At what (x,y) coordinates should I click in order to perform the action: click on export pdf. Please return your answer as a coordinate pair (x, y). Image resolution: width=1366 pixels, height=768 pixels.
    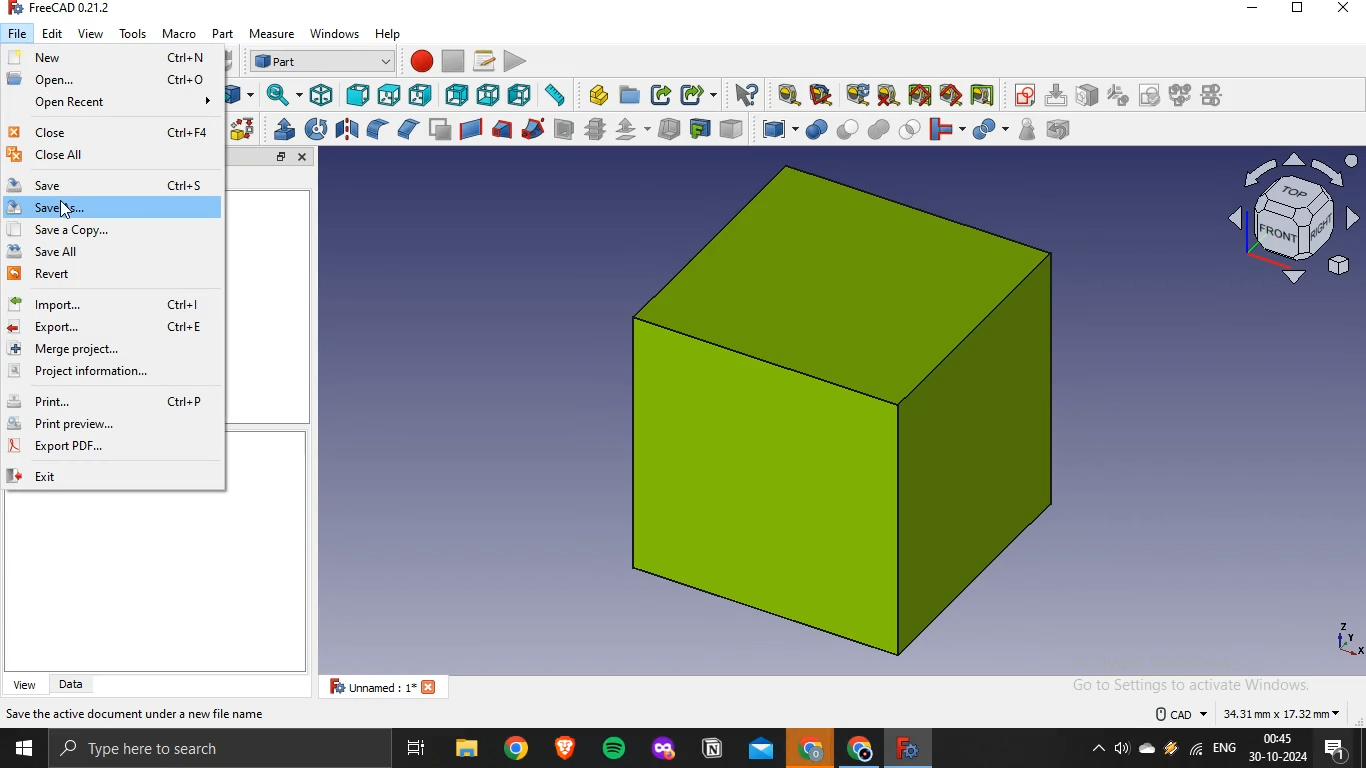
    Looking at the image, I should click on (108, 448).